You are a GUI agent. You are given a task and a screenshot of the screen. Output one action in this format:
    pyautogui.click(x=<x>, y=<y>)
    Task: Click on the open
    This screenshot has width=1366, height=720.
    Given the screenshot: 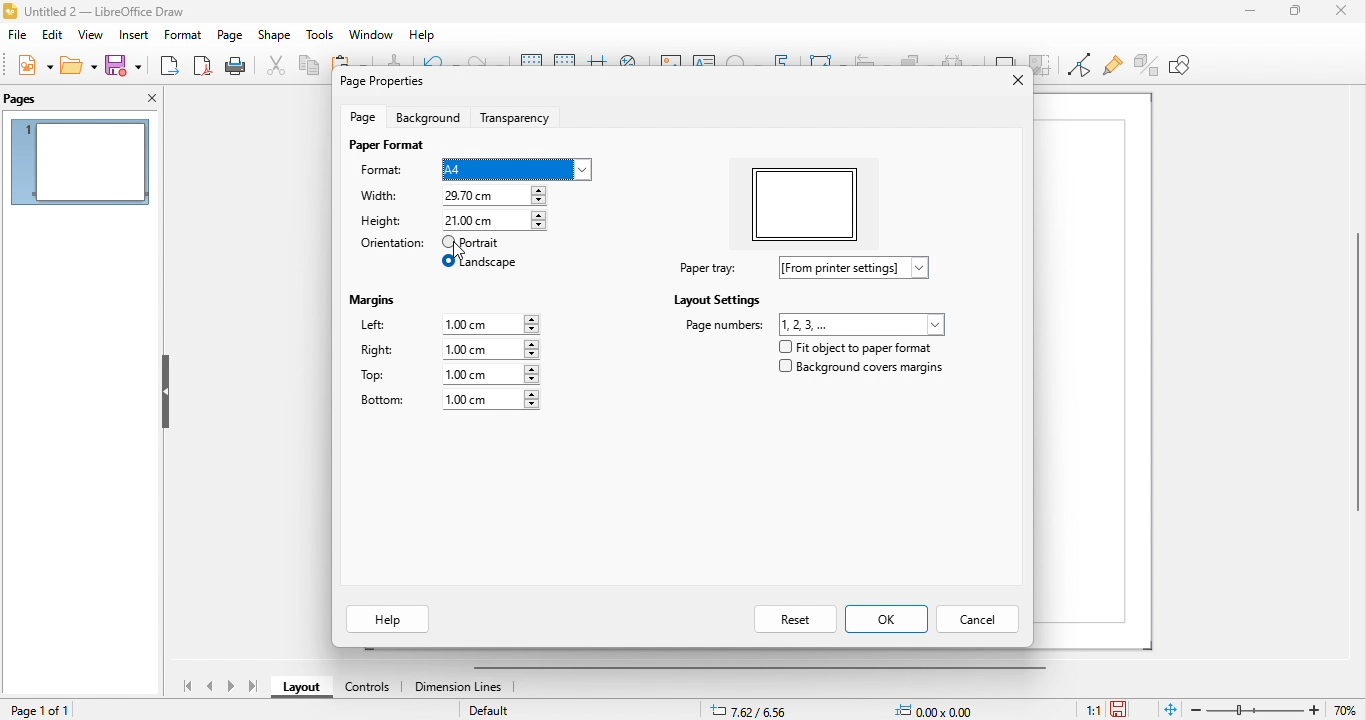 What is the action you would take?
    pyautogui.click(x=79, y=66)
    